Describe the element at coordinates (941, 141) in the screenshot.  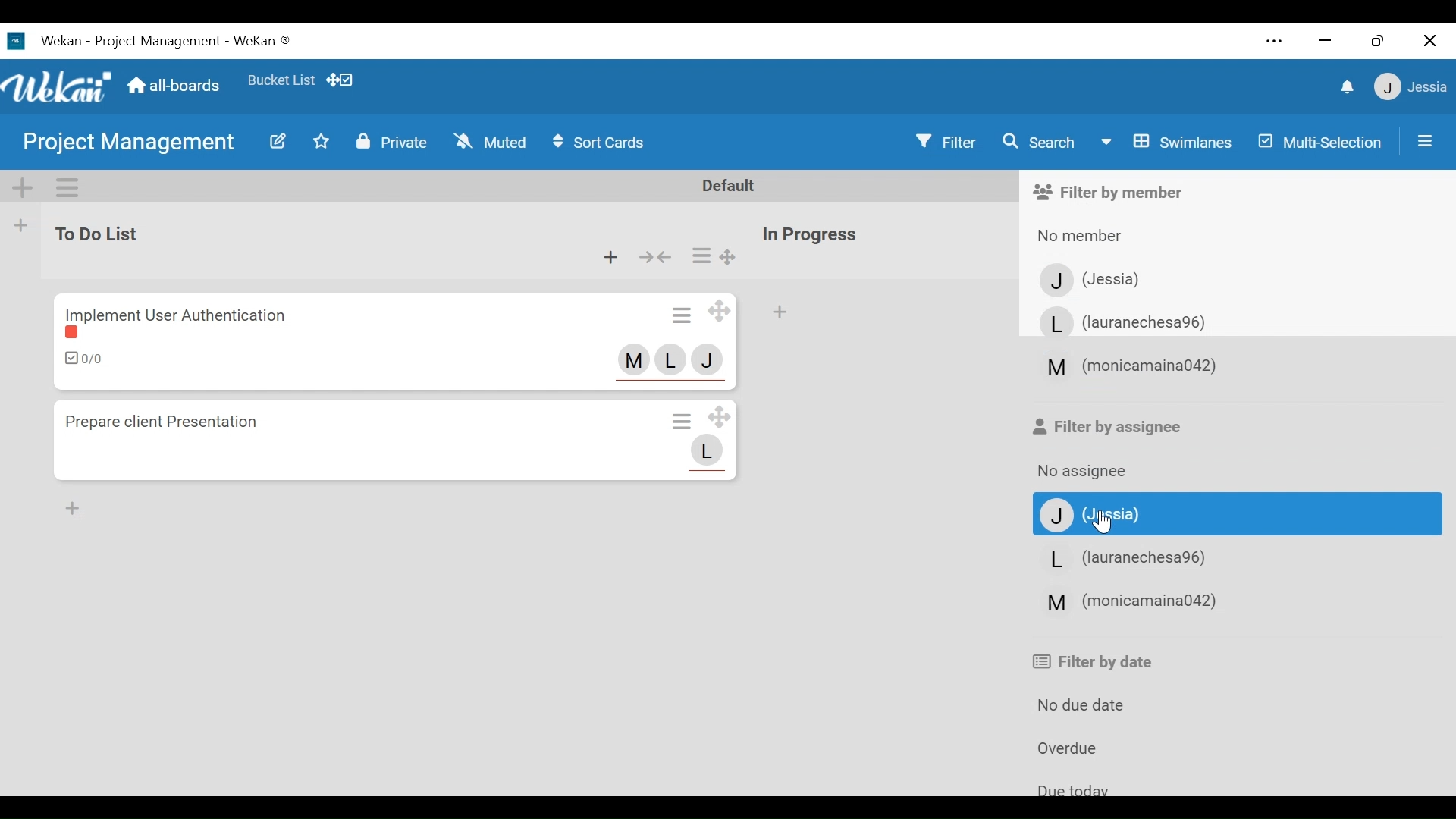
I see `Filter` at that location.